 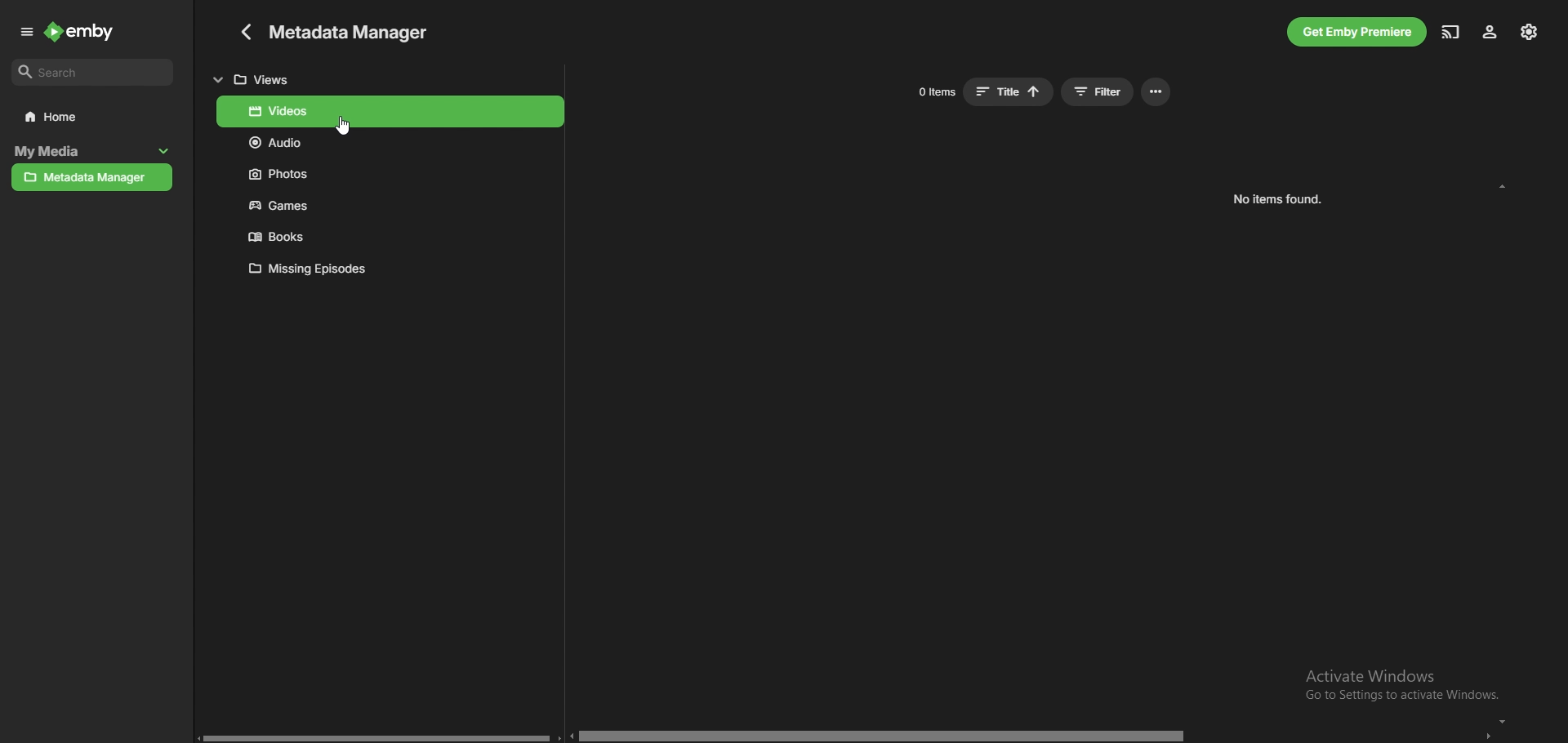 What do you see at coordinates (386, 203) in the screenshot?
I see `games` at bounding box center [386, 203].